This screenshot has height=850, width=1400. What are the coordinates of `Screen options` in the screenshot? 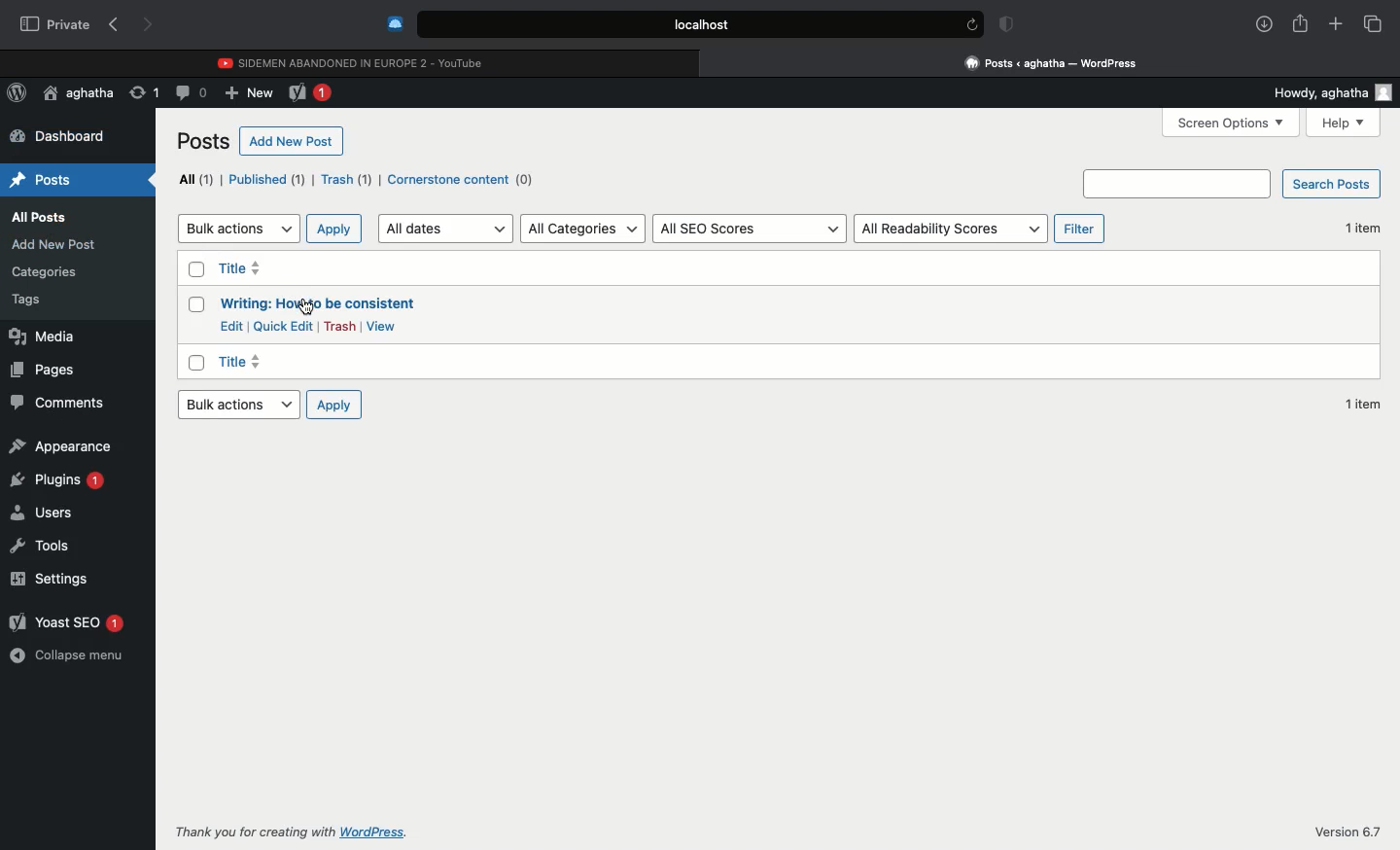 It's located at (1234, 122).